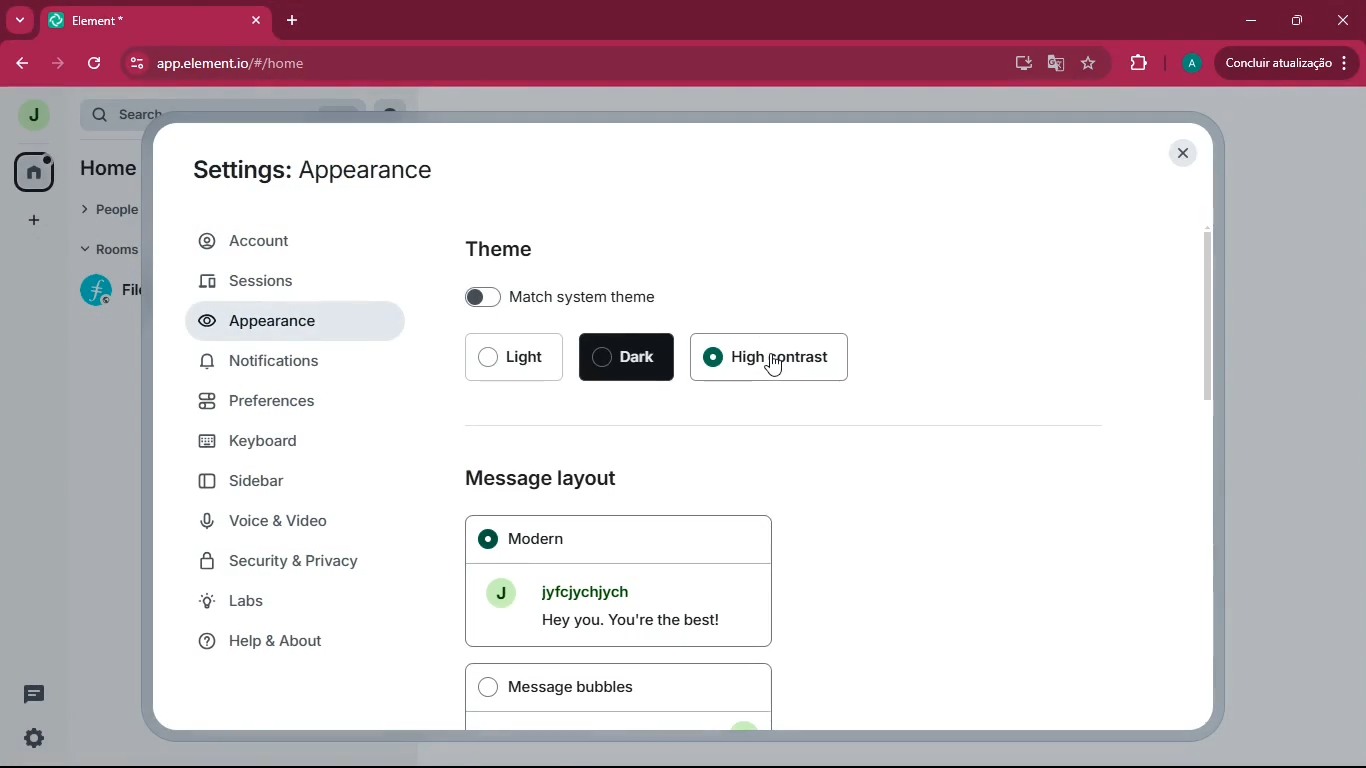 This screenshot has height=768, width=1366. What do you see at coordinates (55, 64) in the screenshot?
I see `forward` at bounding box center [55, 64].